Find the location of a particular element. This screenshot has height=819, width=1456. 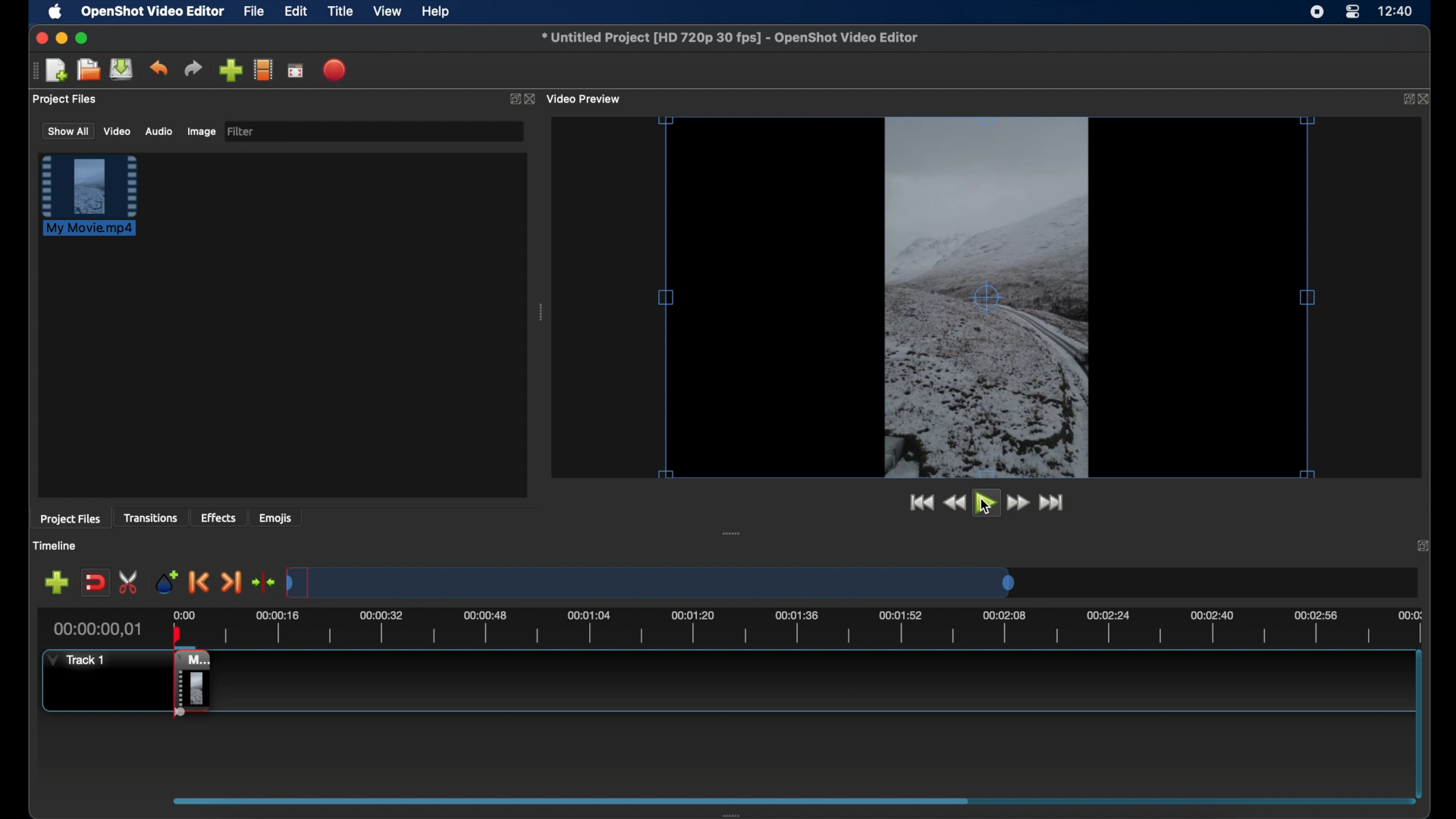

rewind is located at coordinates (952, 503).